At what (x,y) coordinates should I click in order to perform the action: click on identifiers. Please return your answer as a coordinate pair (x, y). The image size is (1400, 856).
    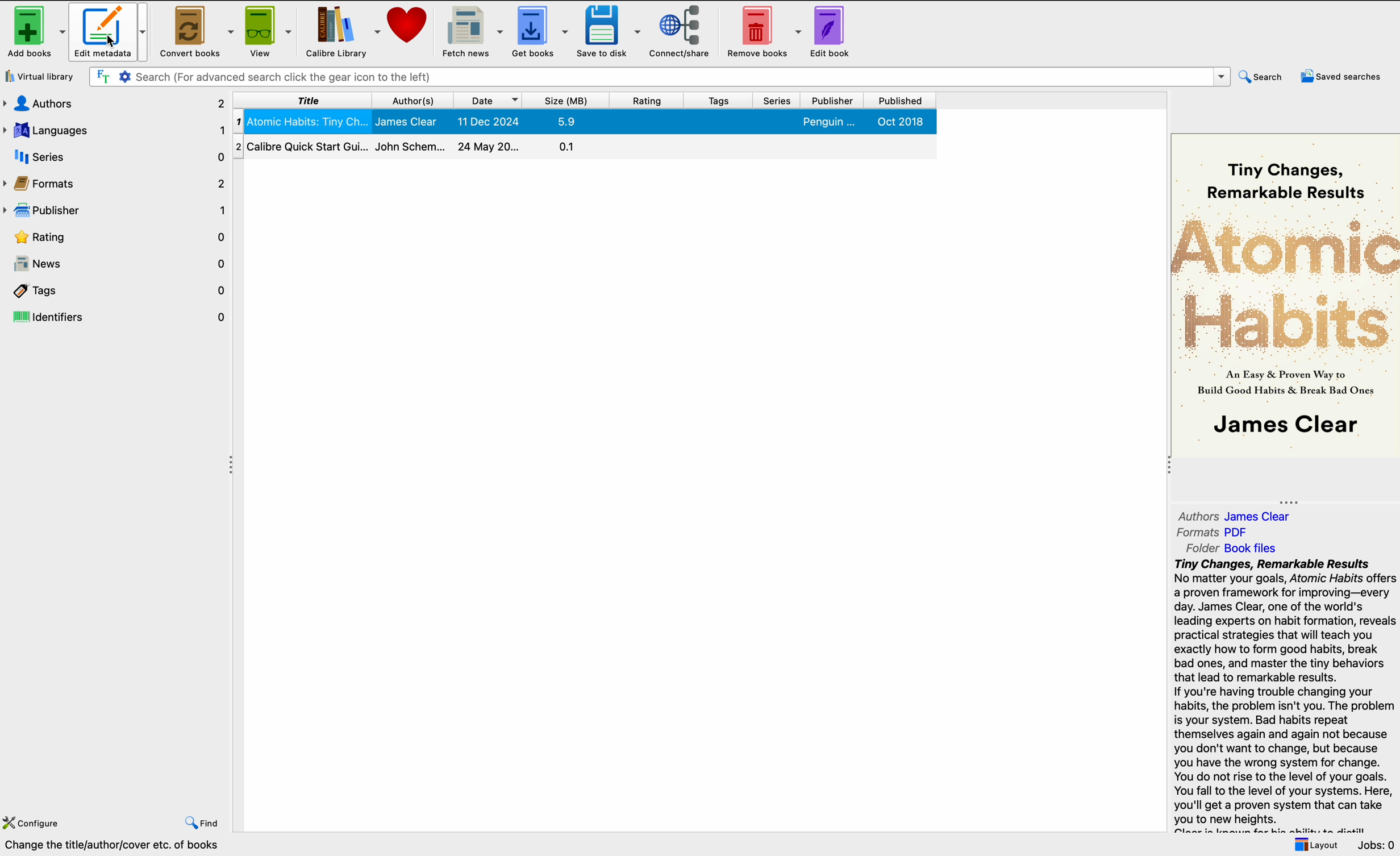
    Looking at the image, I should click on (116, 318).